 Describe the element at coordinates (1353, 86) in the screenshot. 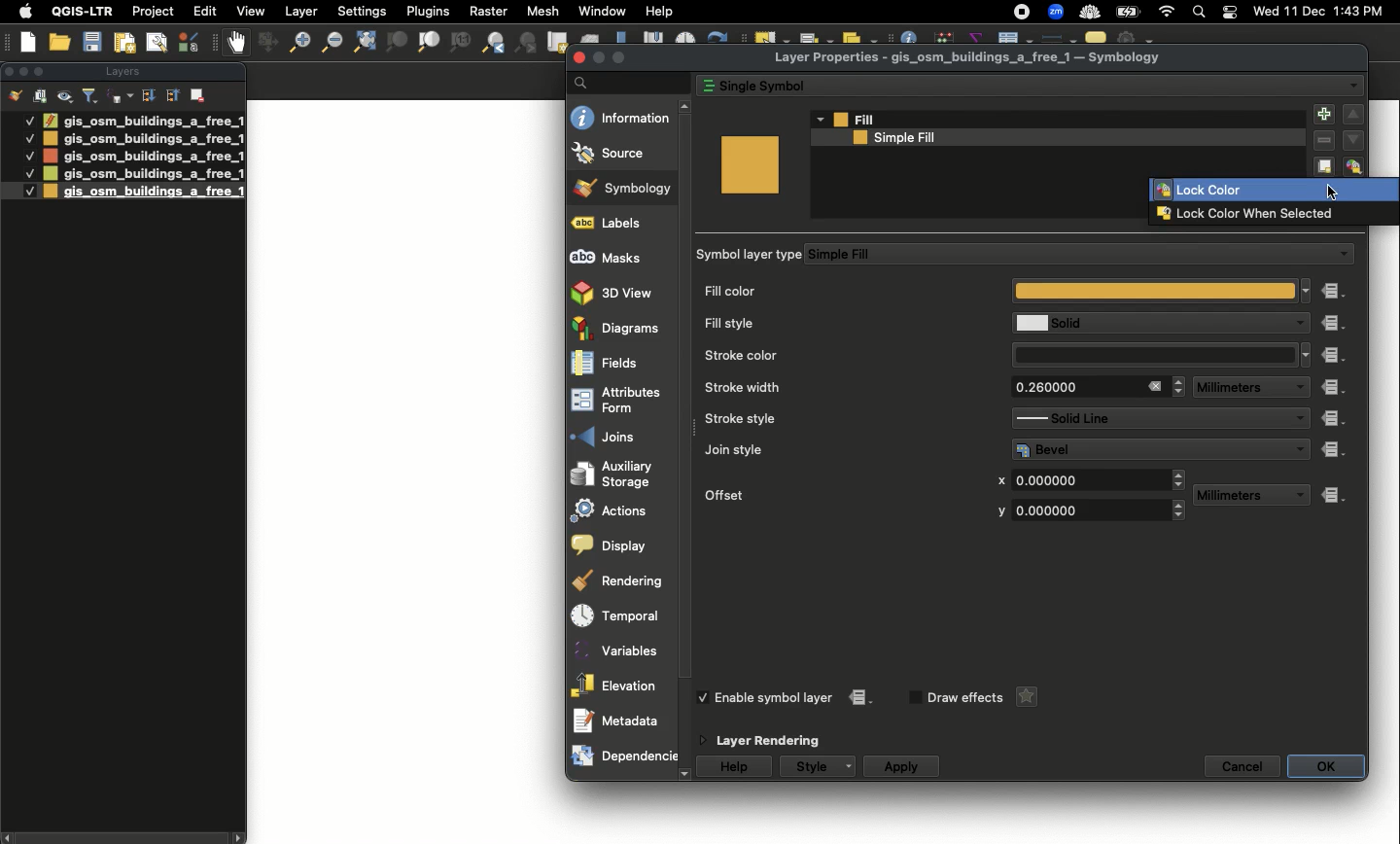

I see `Drop down` at that location.